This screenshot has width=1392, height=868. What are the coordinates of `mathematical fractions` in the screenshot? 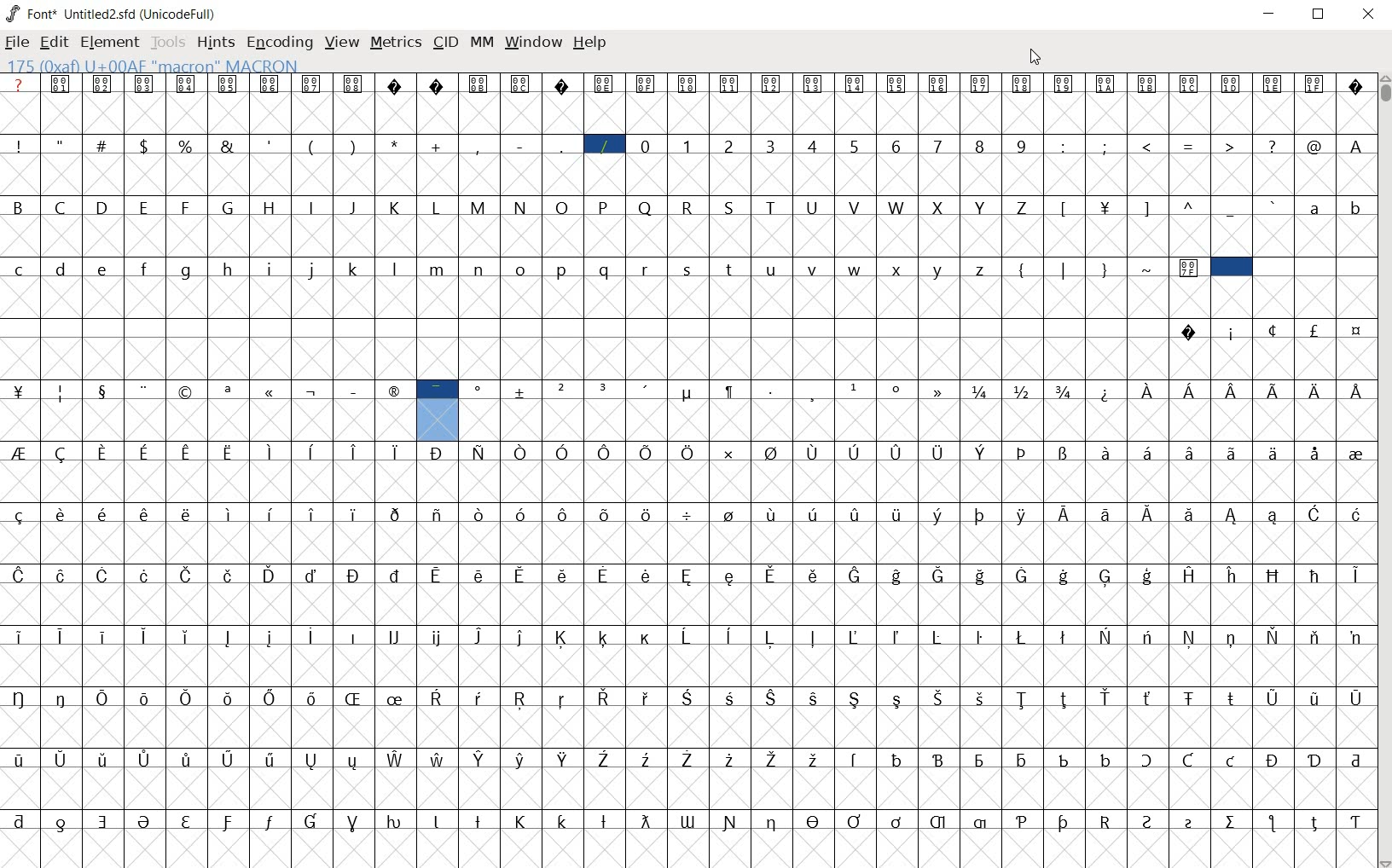 It's located at (1024, 410).